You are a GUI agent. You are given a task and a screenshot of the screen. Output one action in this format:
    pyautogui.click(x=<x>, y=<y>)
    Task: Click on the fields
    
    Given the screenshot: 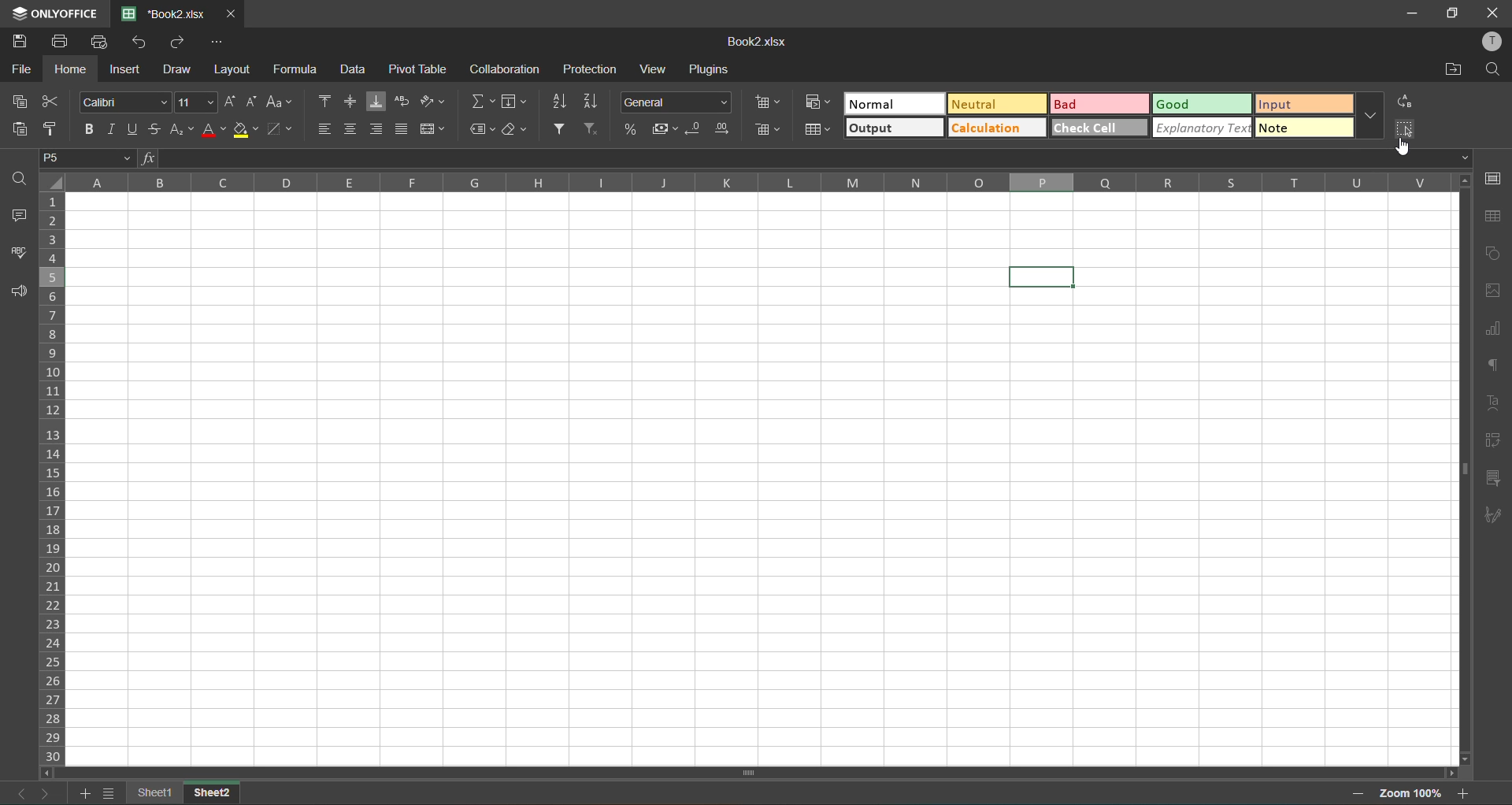 What is the action you would take?
    pyautogui.click(x=514, y=103)
    